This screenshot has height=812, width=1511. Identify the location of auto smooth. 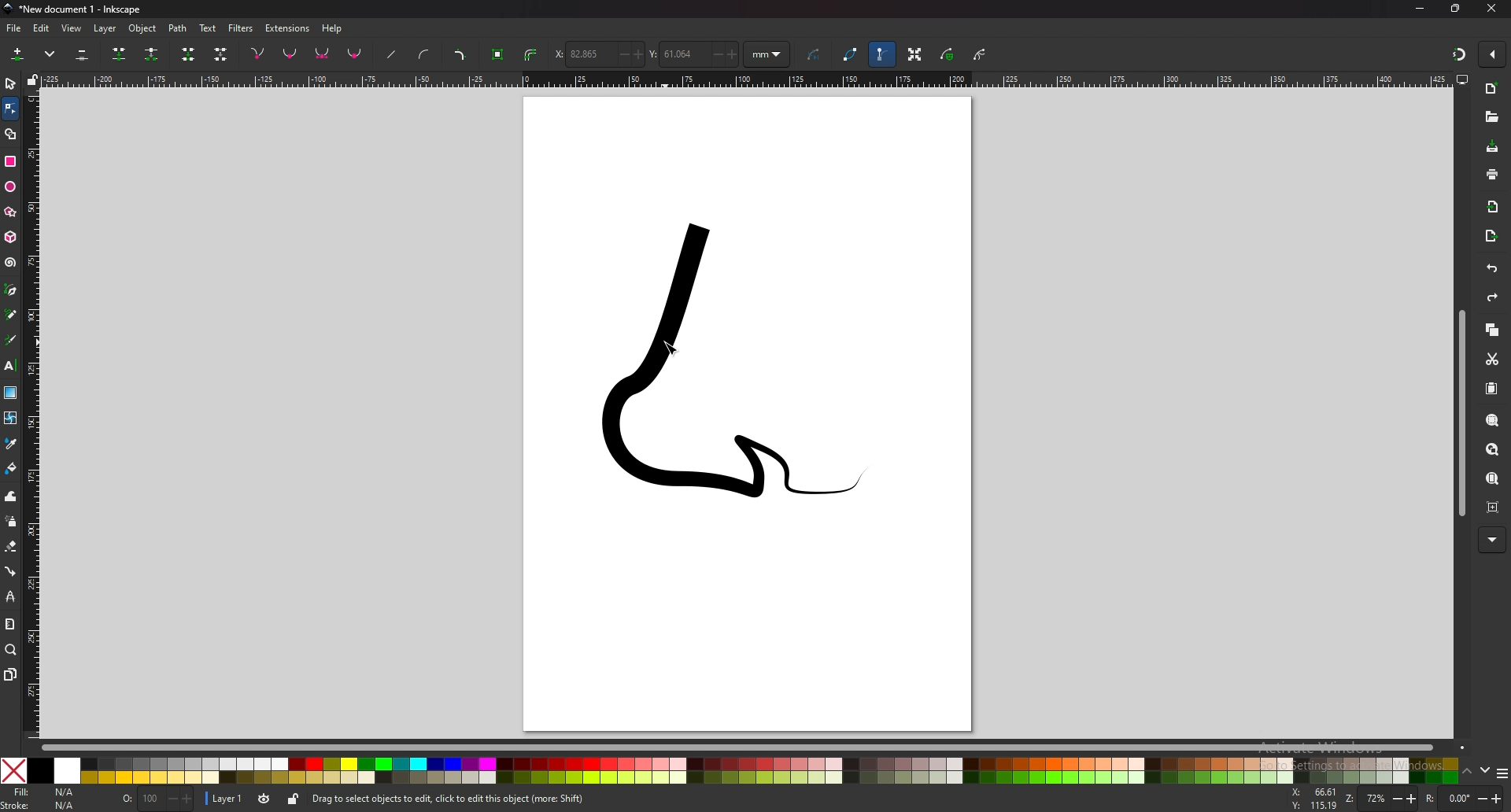
(355, 54).